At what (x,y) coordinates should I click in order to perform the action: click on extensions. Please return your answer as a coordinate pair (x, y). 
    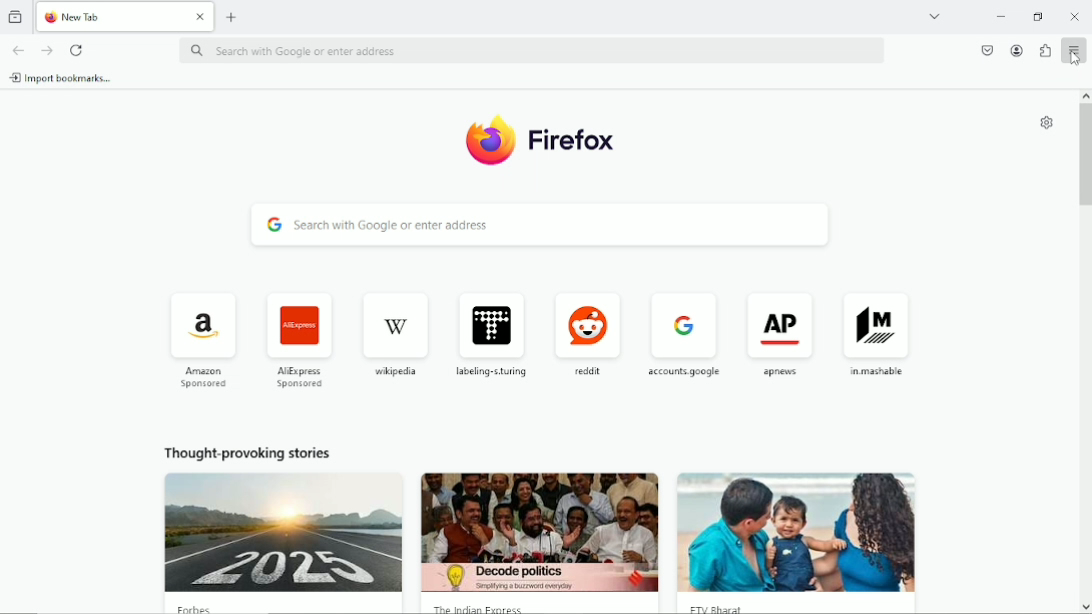
    Looking at the image, I should click on (1044, 50).